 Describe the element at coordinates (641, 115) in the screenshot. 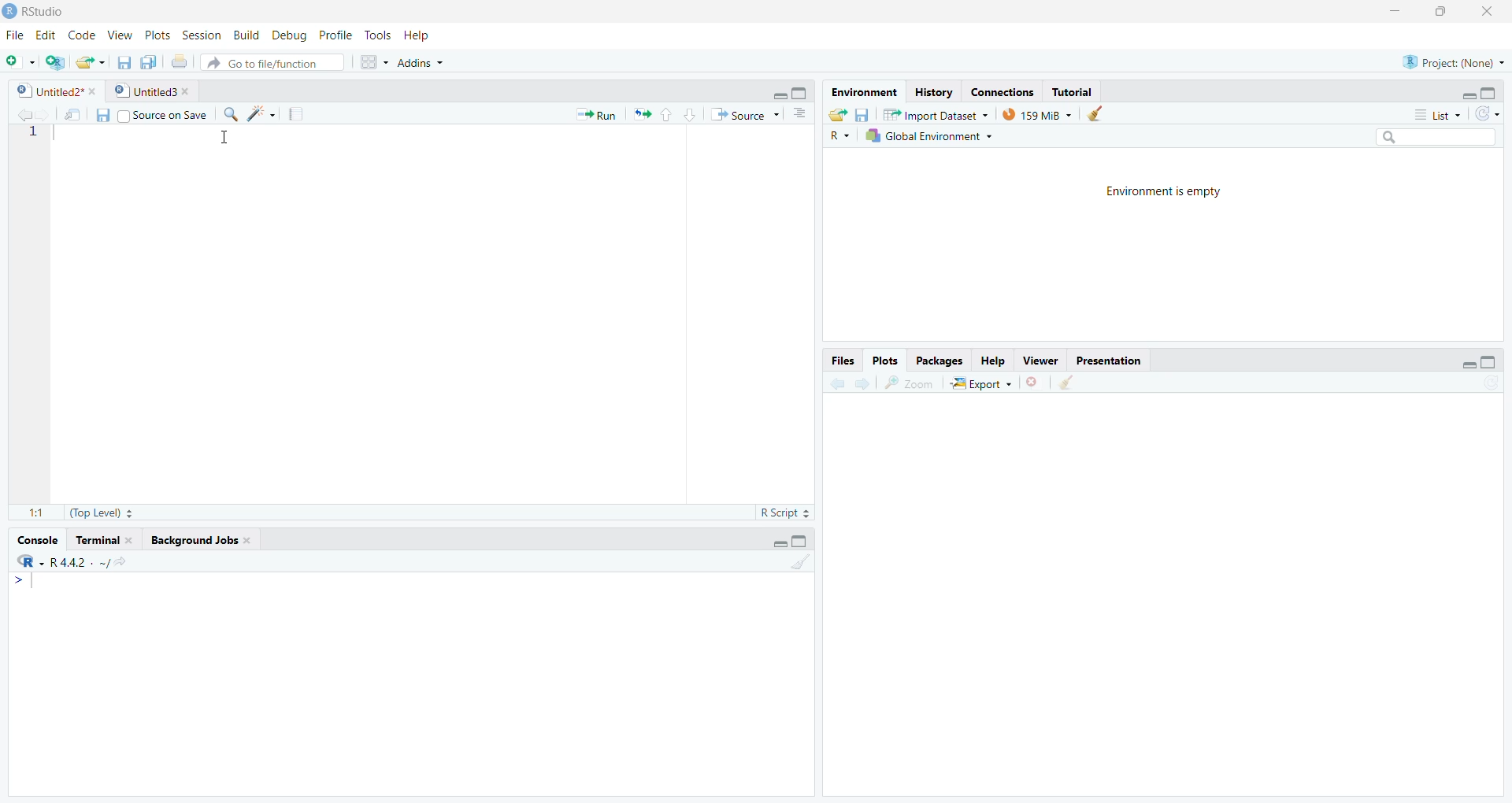

I see `Re-run` at that location.